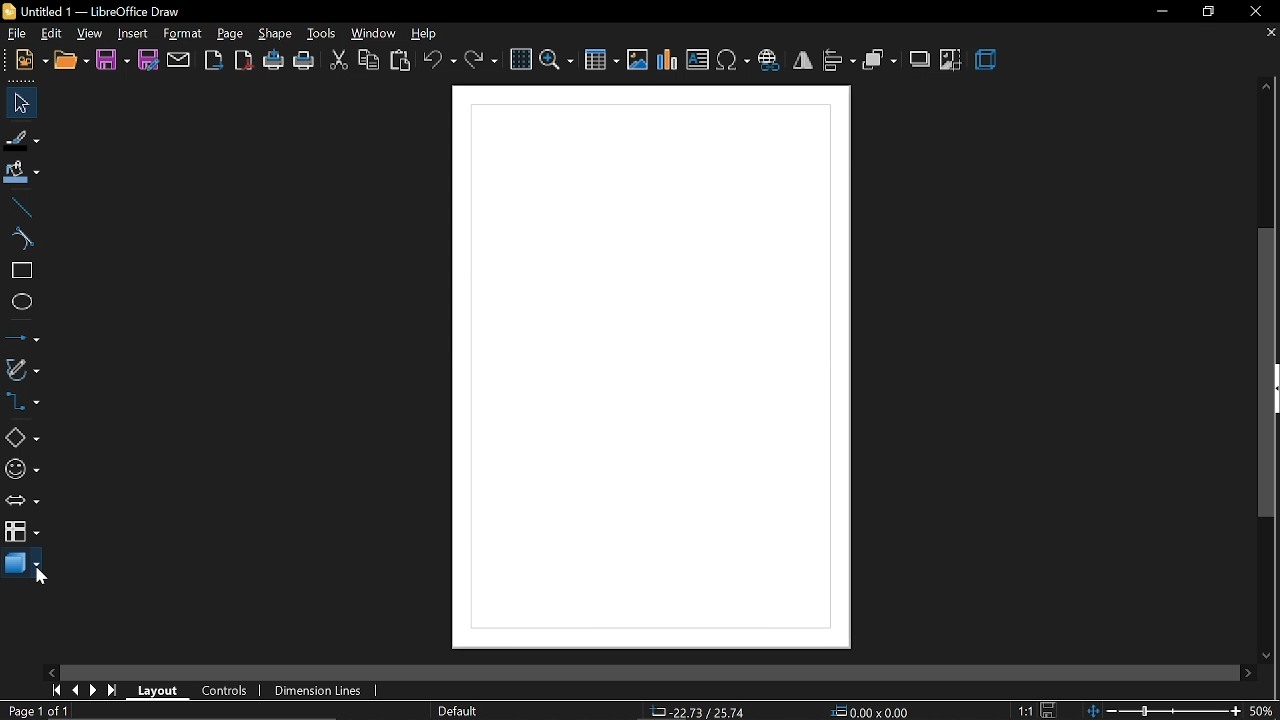 The image size is (1280, 720). I want to click on cut, so click(339, 63).